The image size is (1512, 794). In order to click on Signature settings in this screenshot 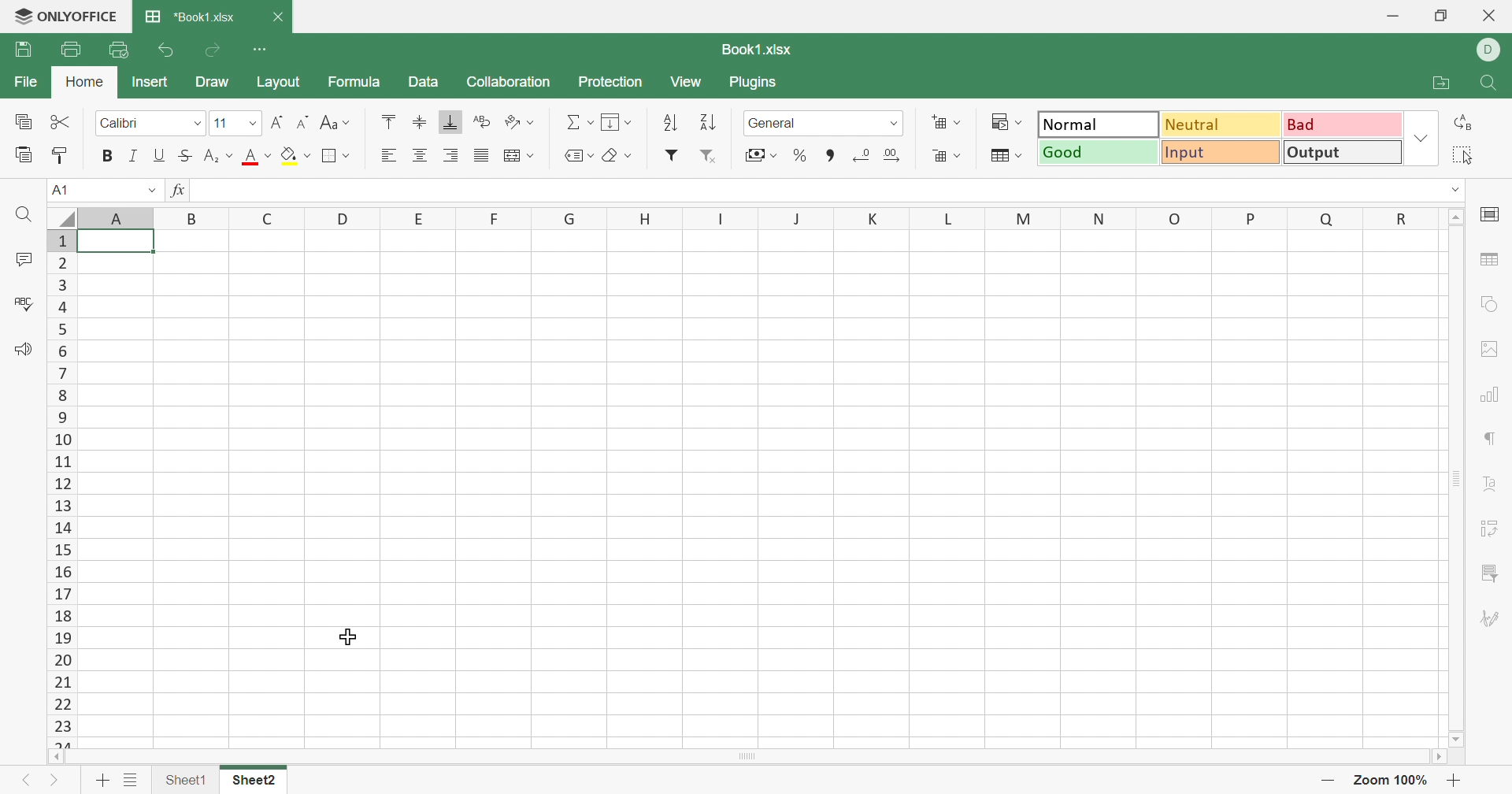, I will do `click(1488, 616)`.